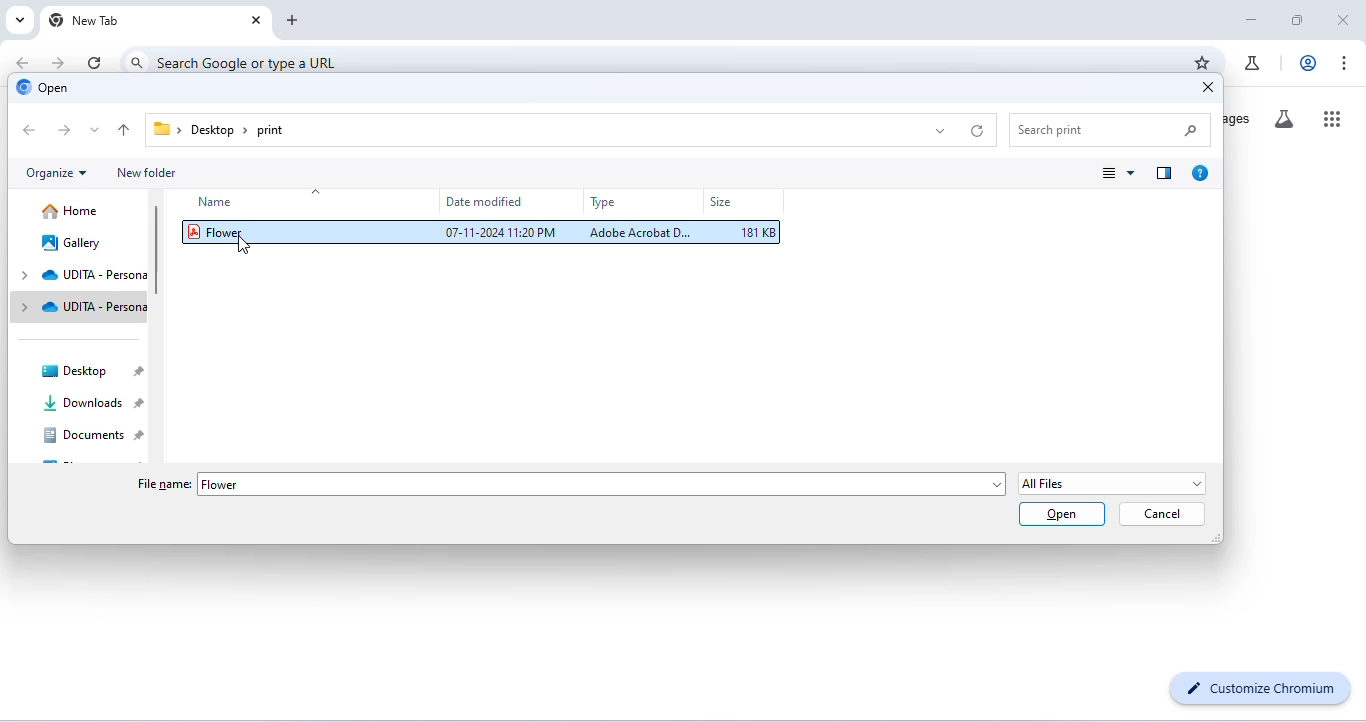 The width and height of the screenshot is (1366, 722). I want to click on udita - persona, so click(94, 306).